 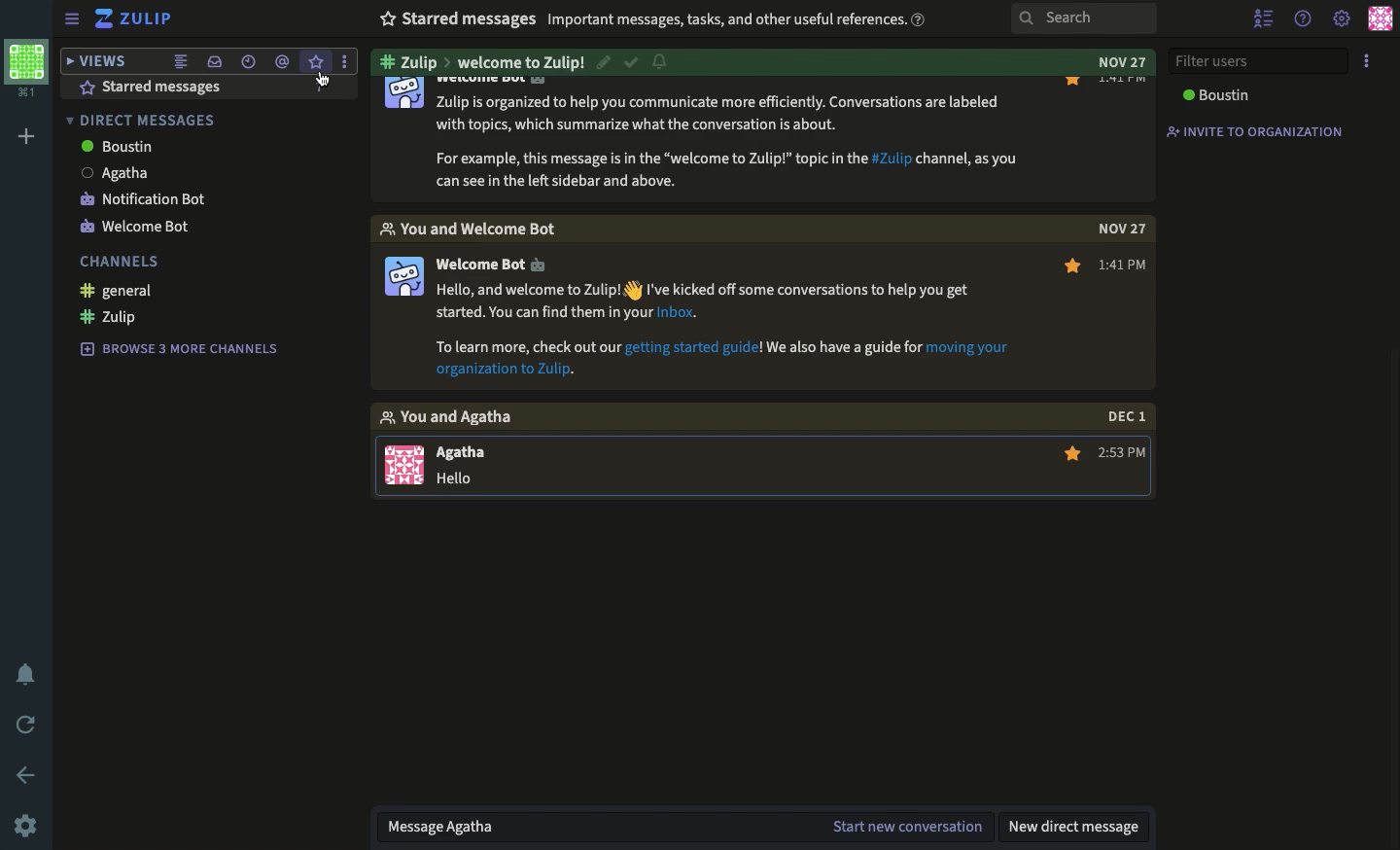 What do you see at coordinates (1079, 826) in the screenshot?
I see `new dm` at bounding box center [1079, 826].